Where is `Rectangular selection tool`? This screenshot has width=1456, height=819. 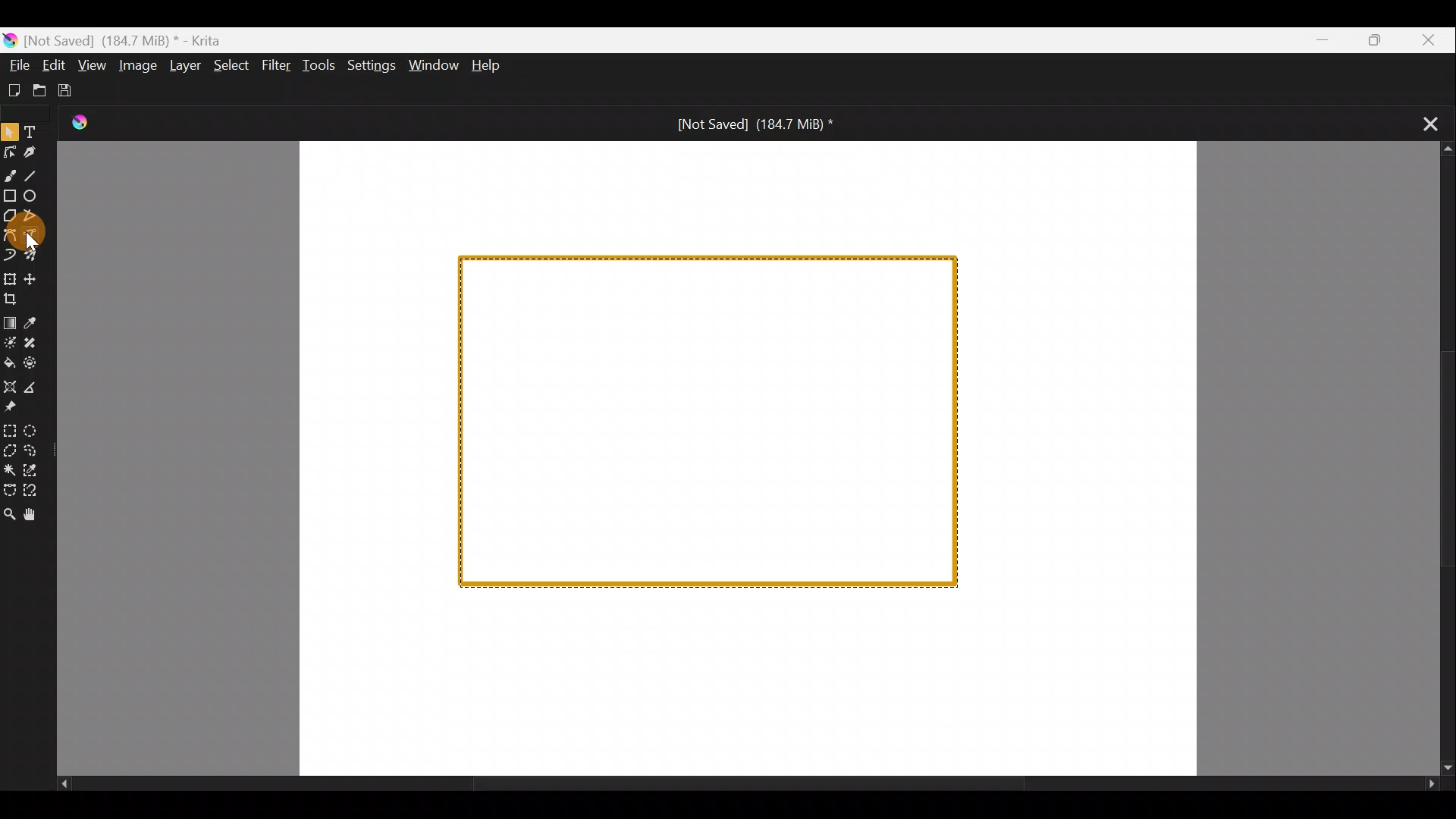
Rectangular selection tool is located at coordinates (10, 428).